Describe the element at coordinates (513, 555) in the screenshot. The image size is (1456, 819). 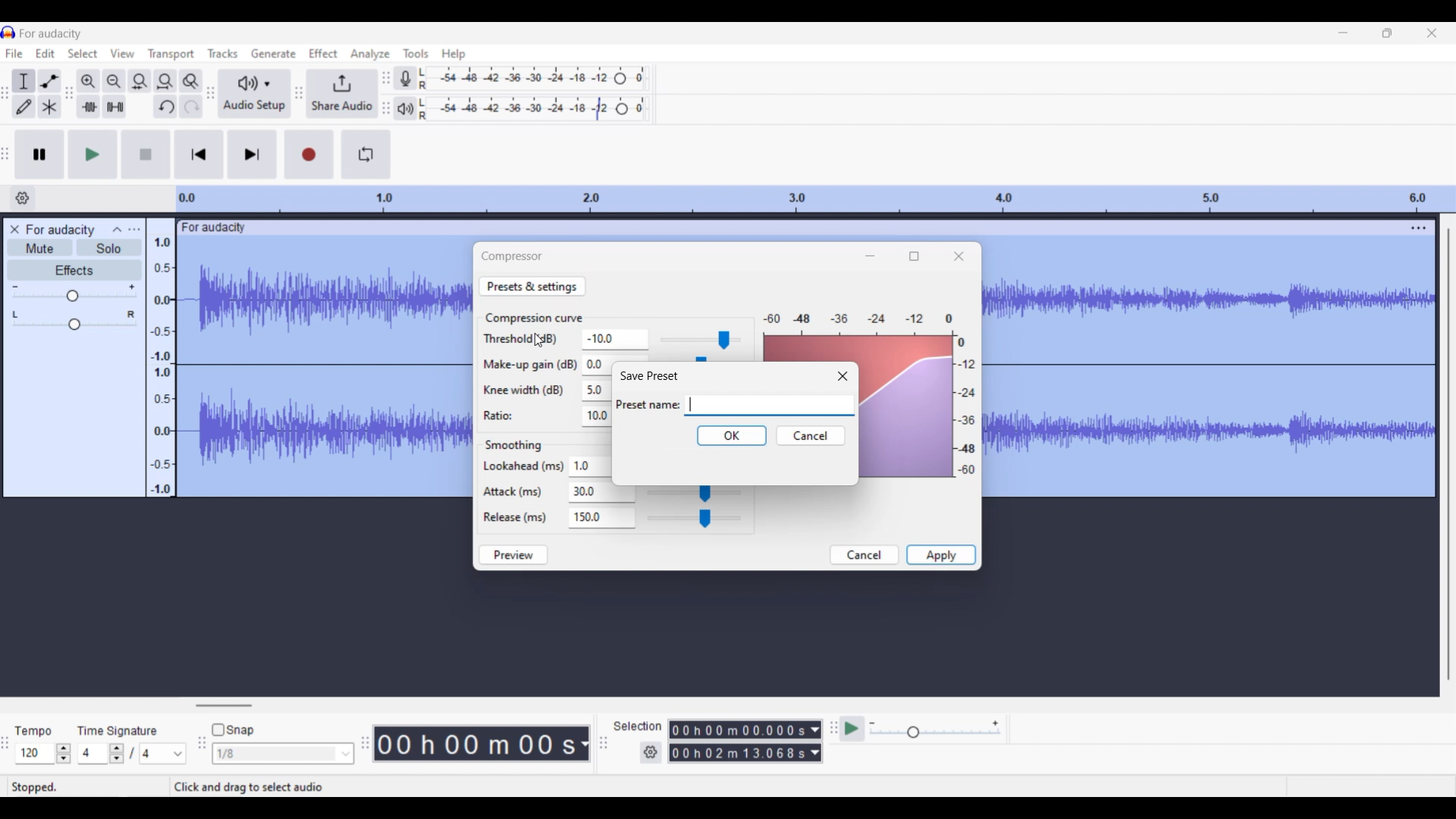
I see `Preview` at that location.